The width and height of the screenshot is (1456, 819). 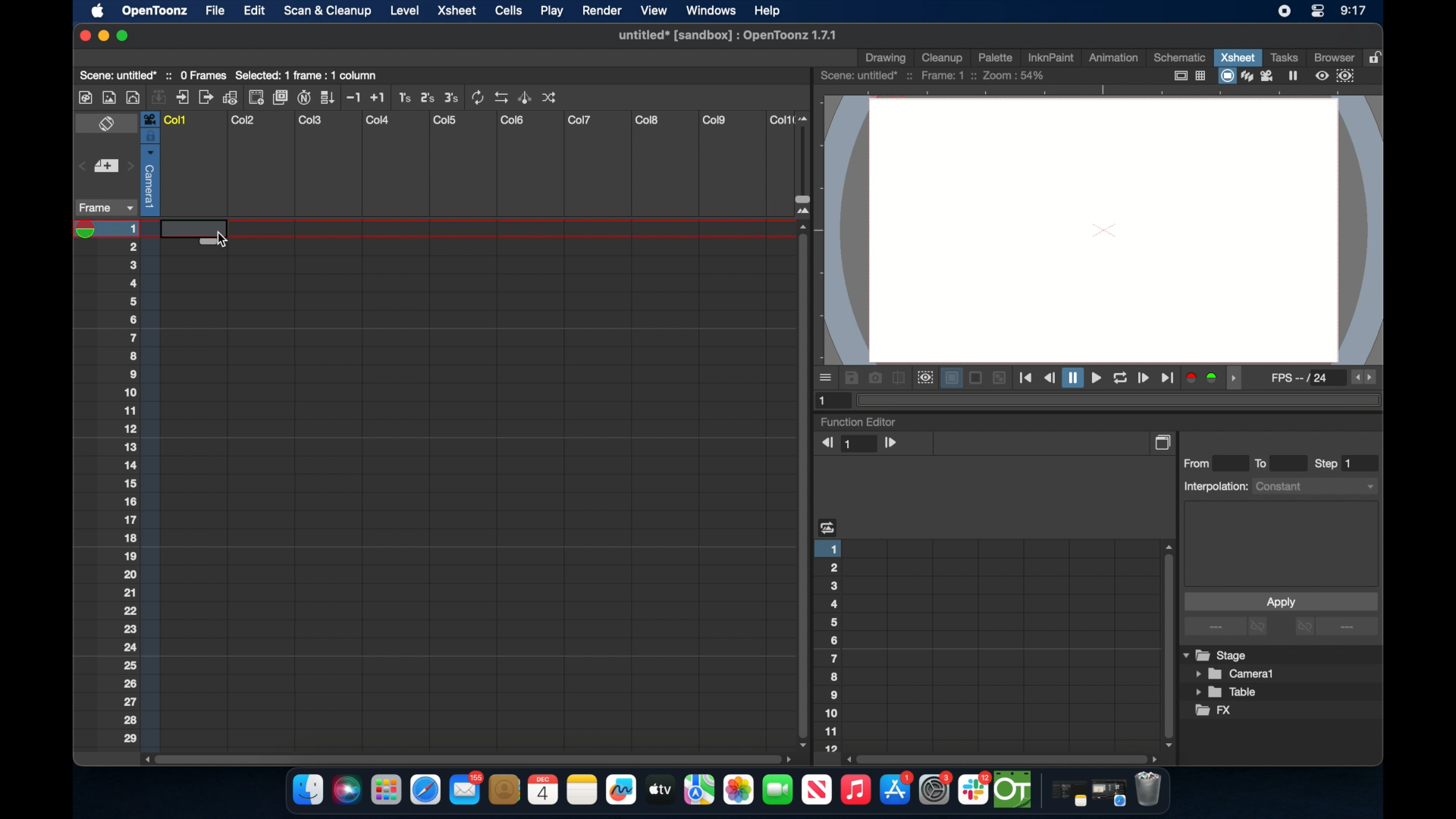 I want to click on schematic, so click(x=1180, y=57).